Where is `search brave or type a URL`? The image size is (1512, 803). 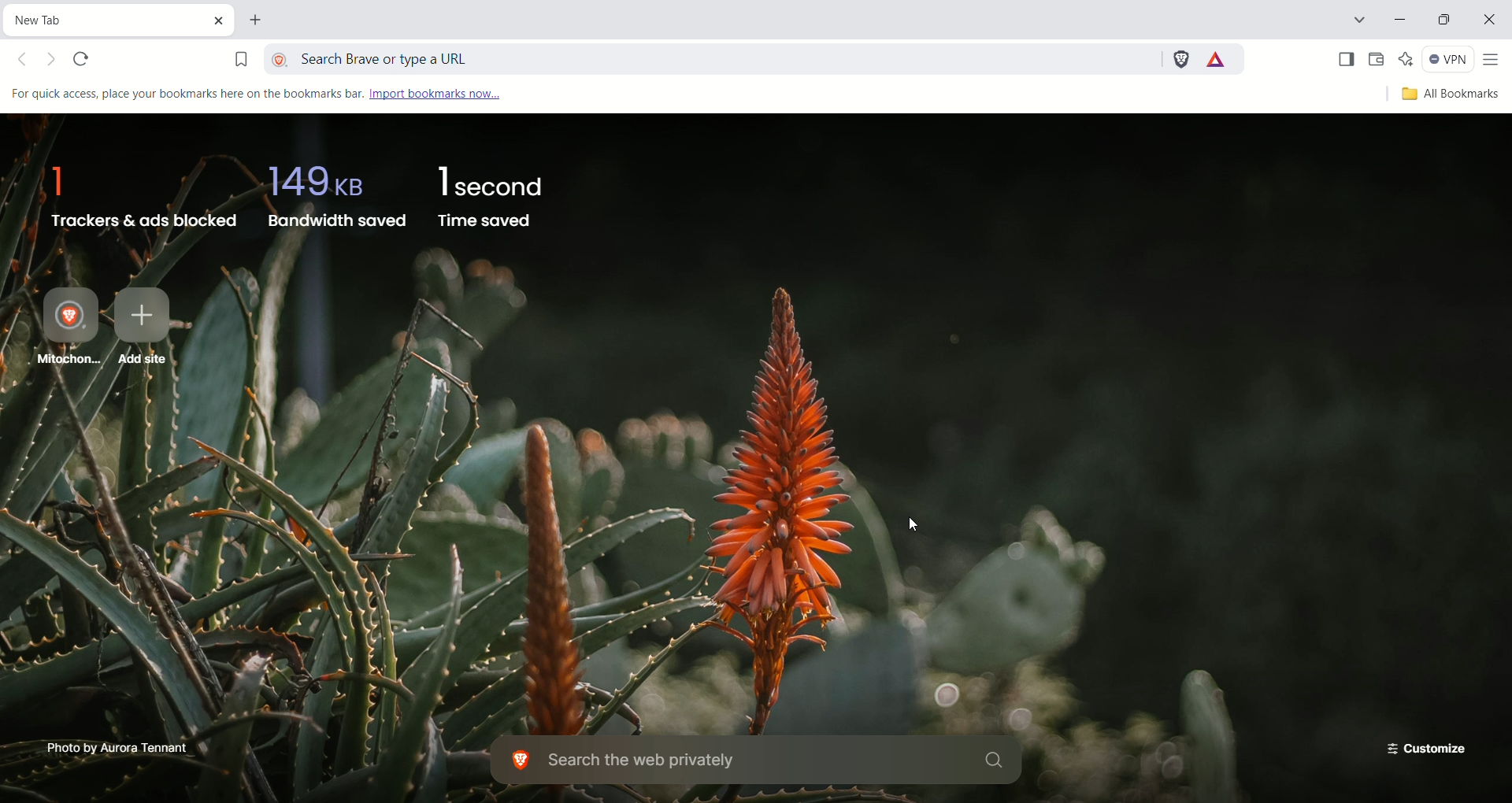 search brave or type a URL is located at coordinates (714, 56).